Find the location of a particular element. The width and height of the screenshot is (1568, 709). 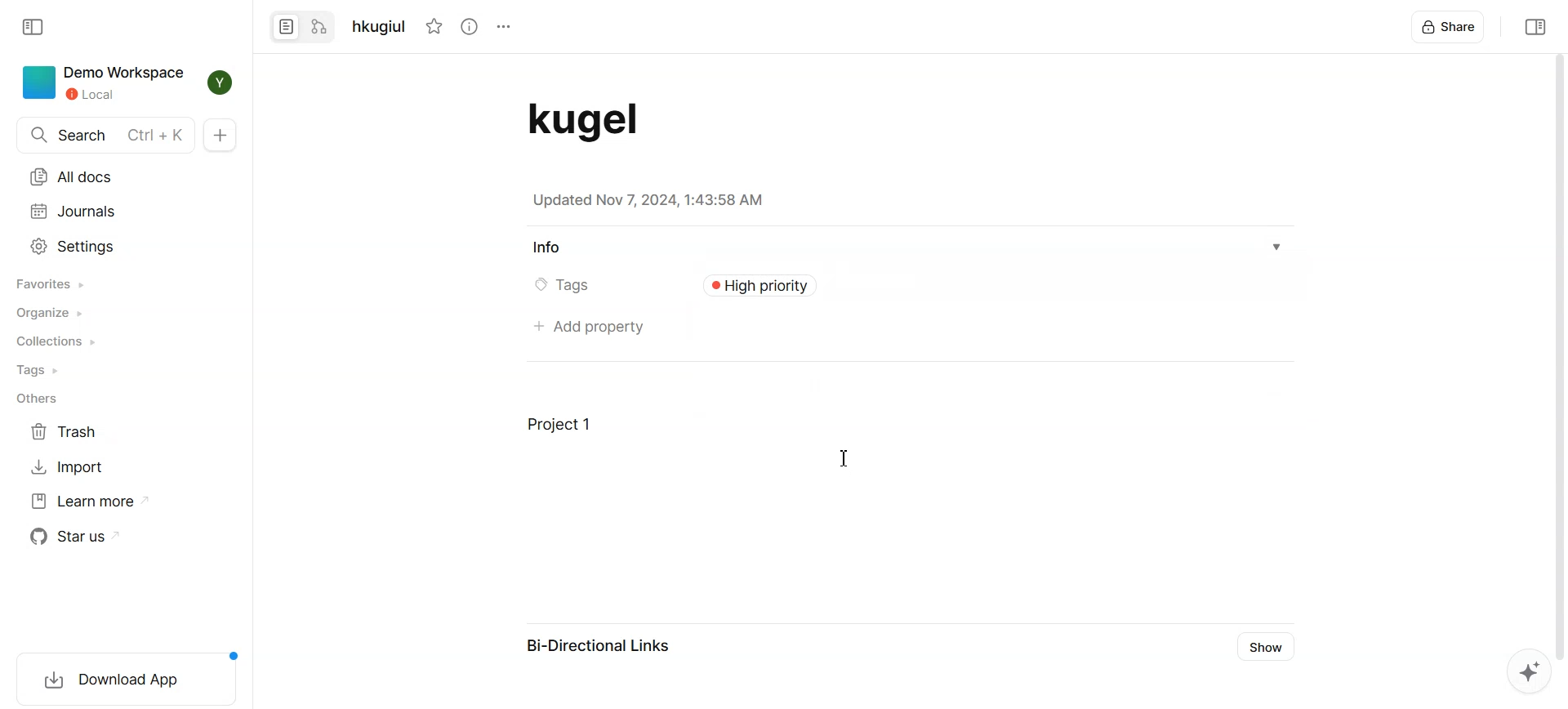

Trash is located at coordinates (69, 431).